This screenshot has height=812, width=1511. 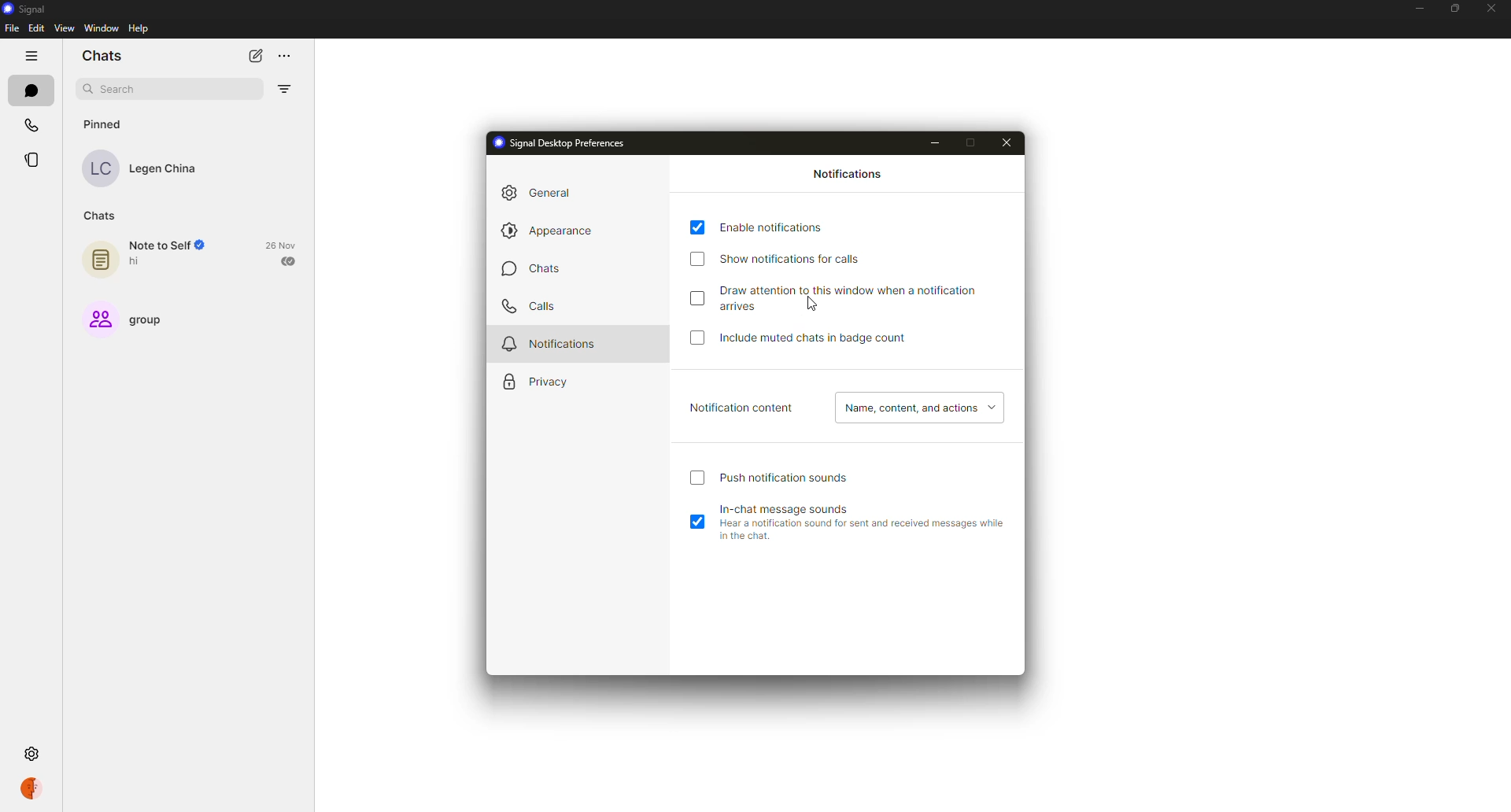 What do you see at coordinates (35, 753) in the screenshot?
I see `settings` at bounding box center [35, 753].